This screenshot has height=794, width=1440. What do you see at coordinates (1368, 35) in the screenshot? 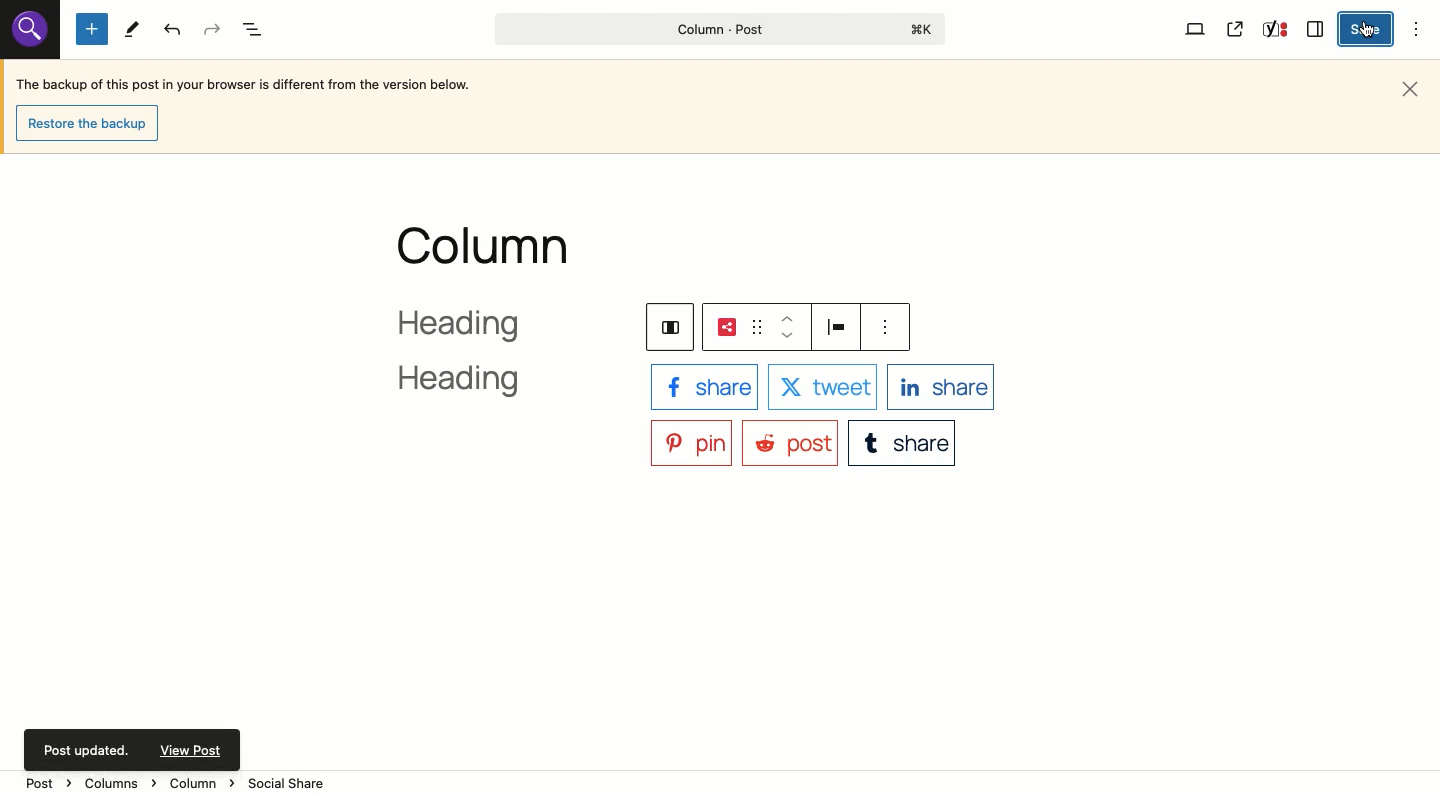
I see `cursor` at bounding box center [1368, 35].